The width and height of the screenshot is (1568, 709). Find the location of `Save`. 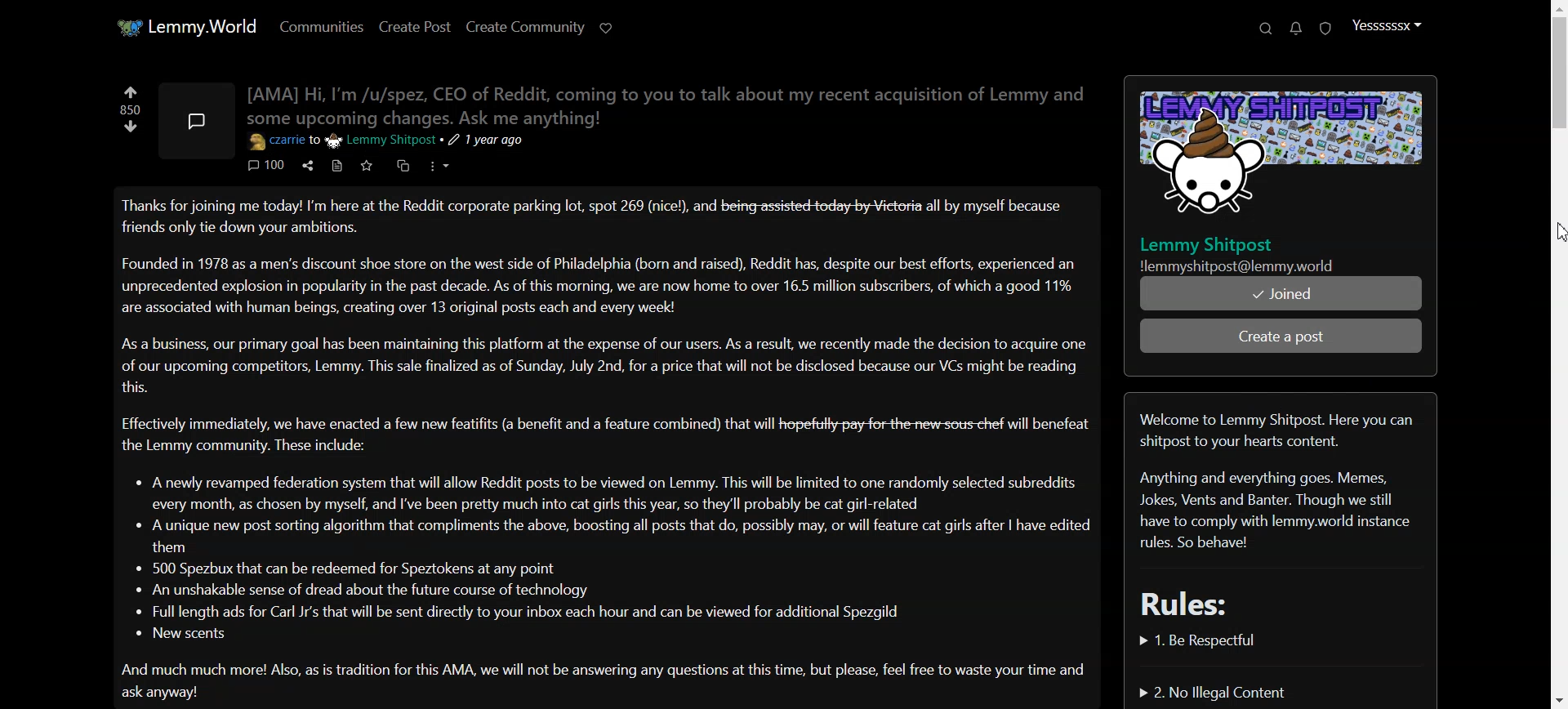

Save is located at coordinates (366, 165).